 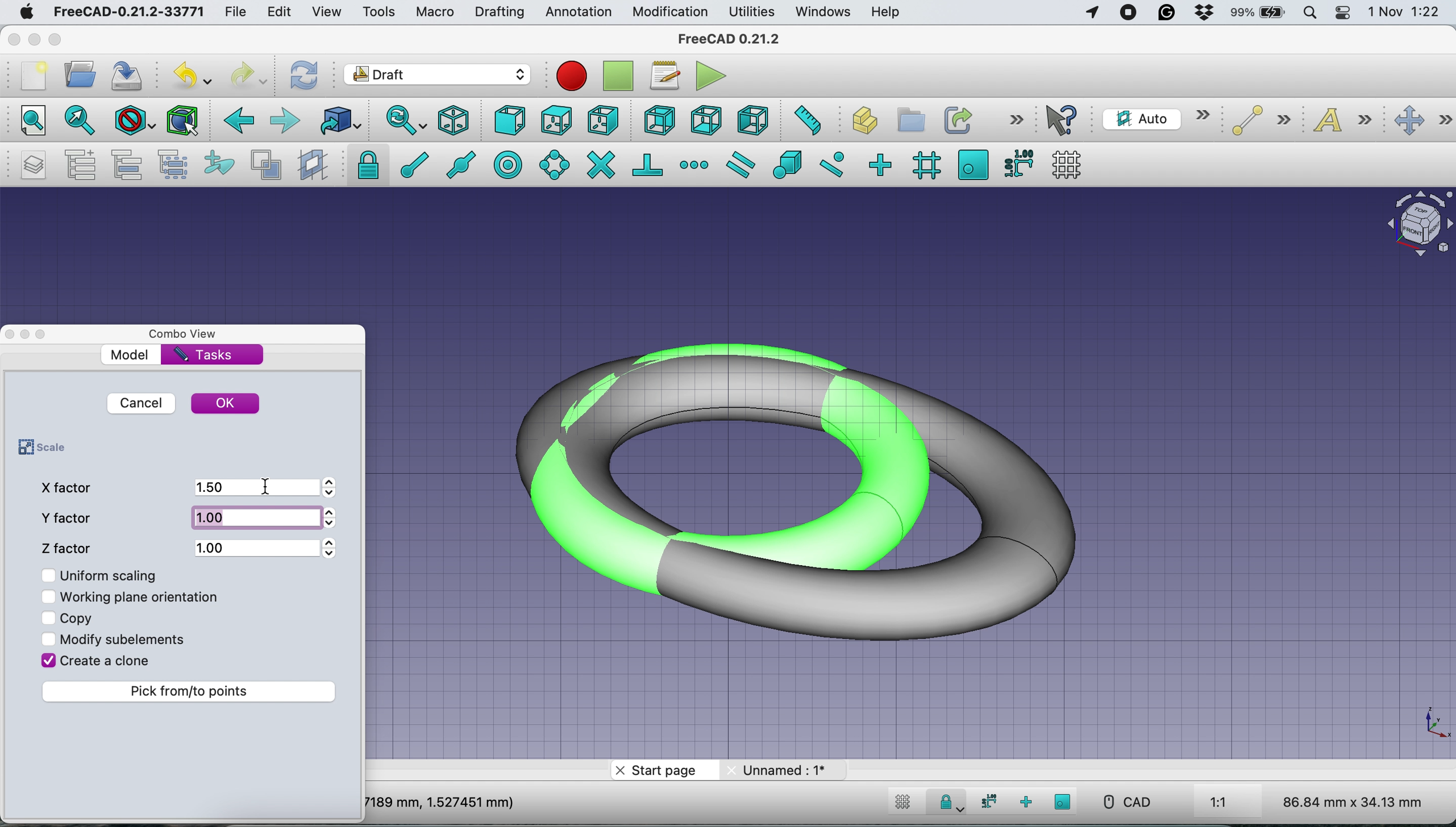 What do you see at coordinates (192, 73) in the screenshot?
I see `undo` at bounding box center [192, 73].